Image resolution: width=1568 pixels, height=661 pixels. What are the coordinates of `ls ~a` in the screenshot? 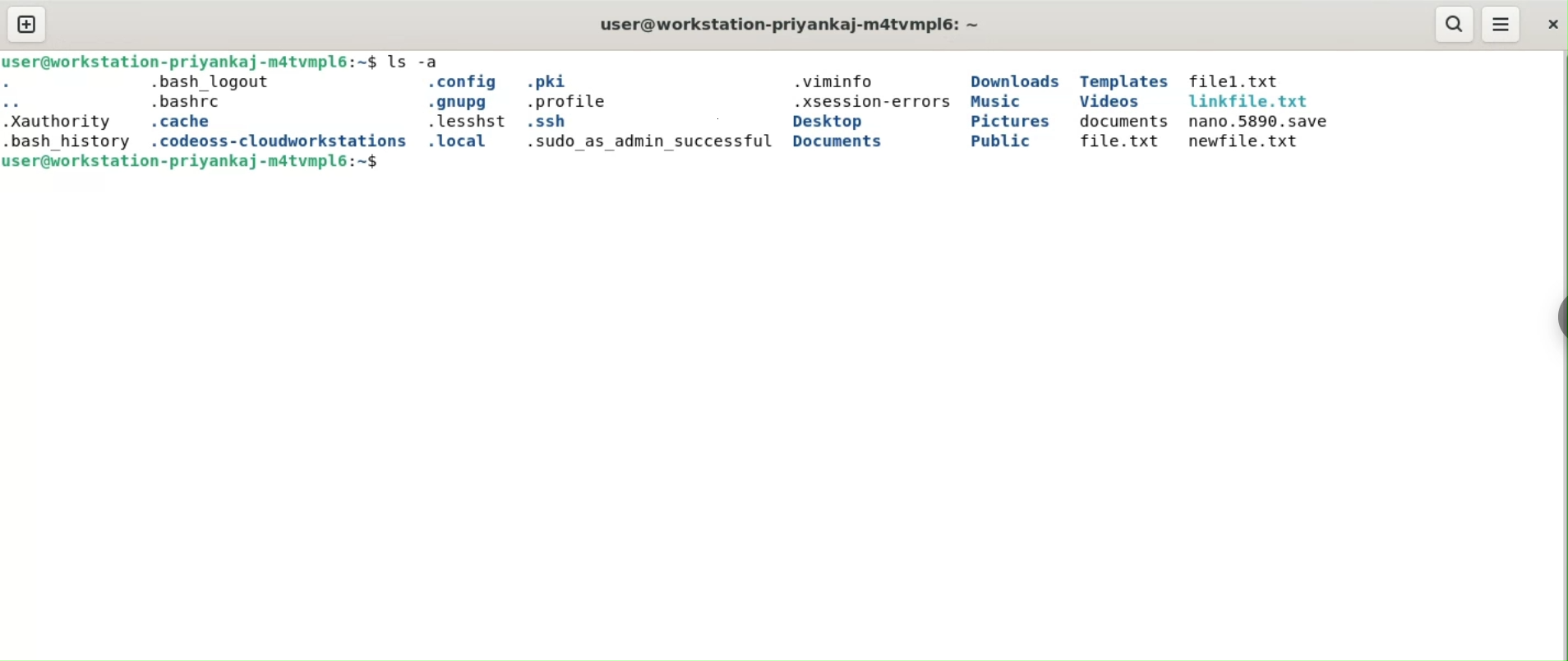 It's located at (417, 61).